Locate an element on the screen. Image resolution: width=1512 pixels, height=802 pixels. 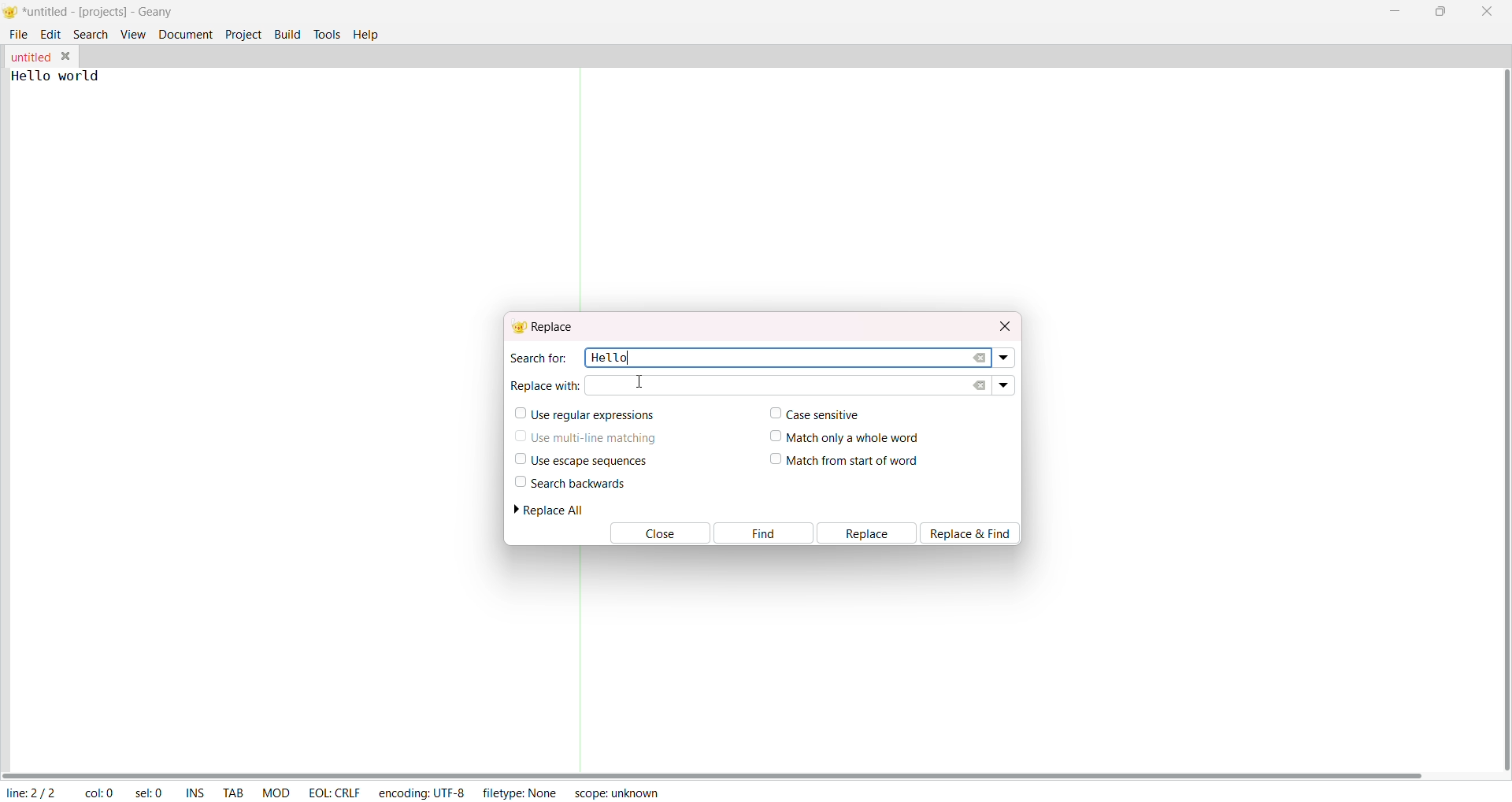
Separator is located at coordinates (580, 659).